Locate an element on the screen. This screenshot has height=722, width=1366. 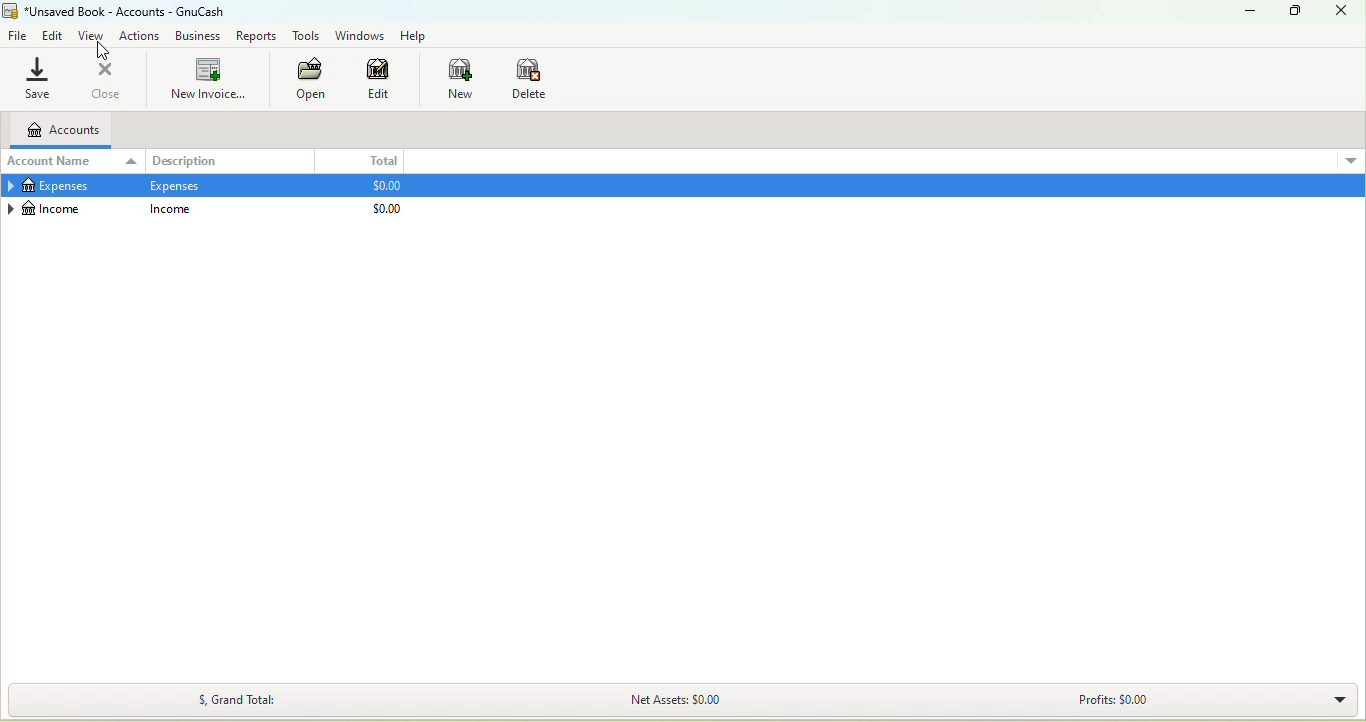
Open is located at coordinates (309, 80).